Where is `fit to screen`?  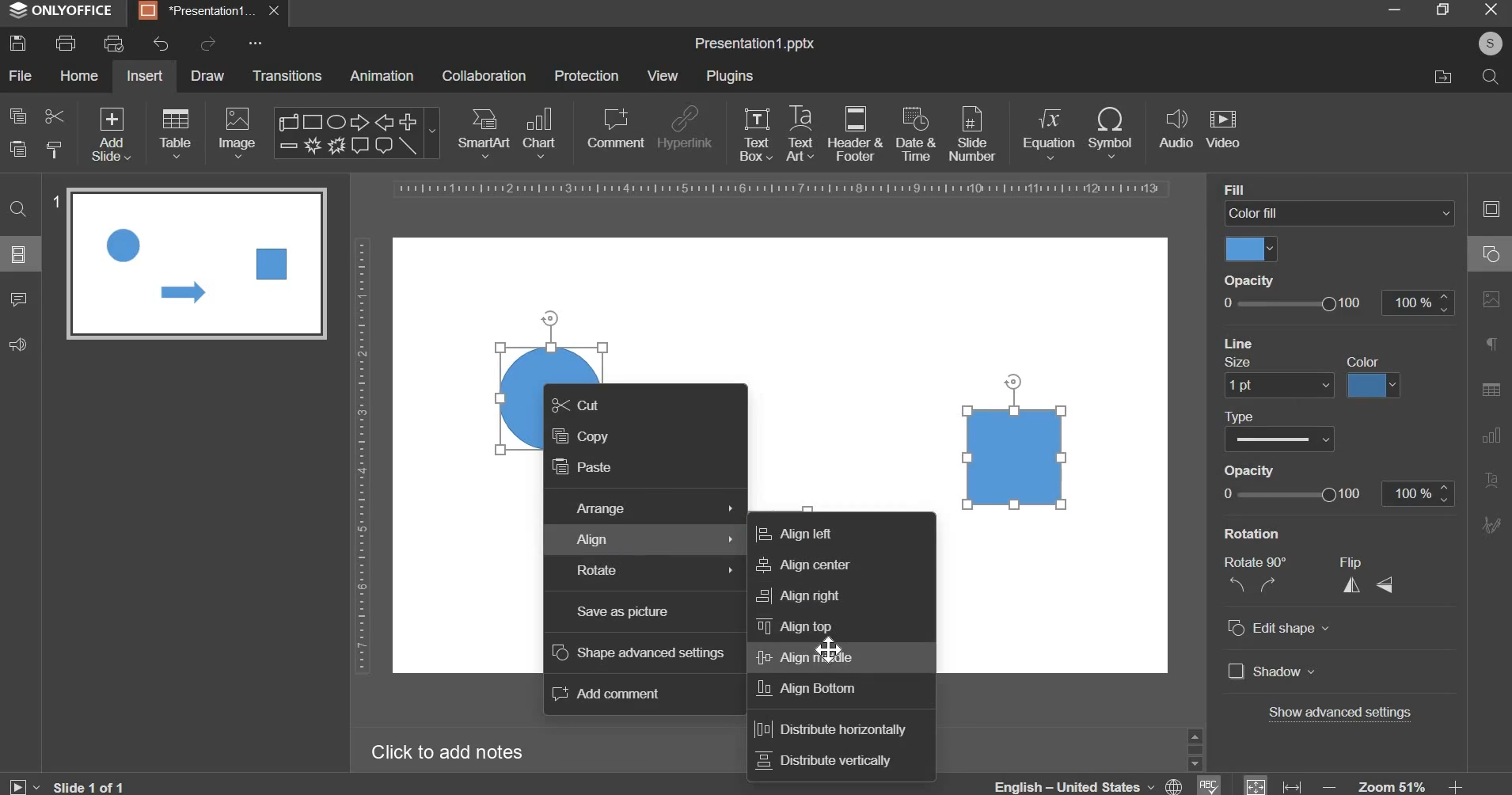 fit to screen is located at coordinates (1256, 784).